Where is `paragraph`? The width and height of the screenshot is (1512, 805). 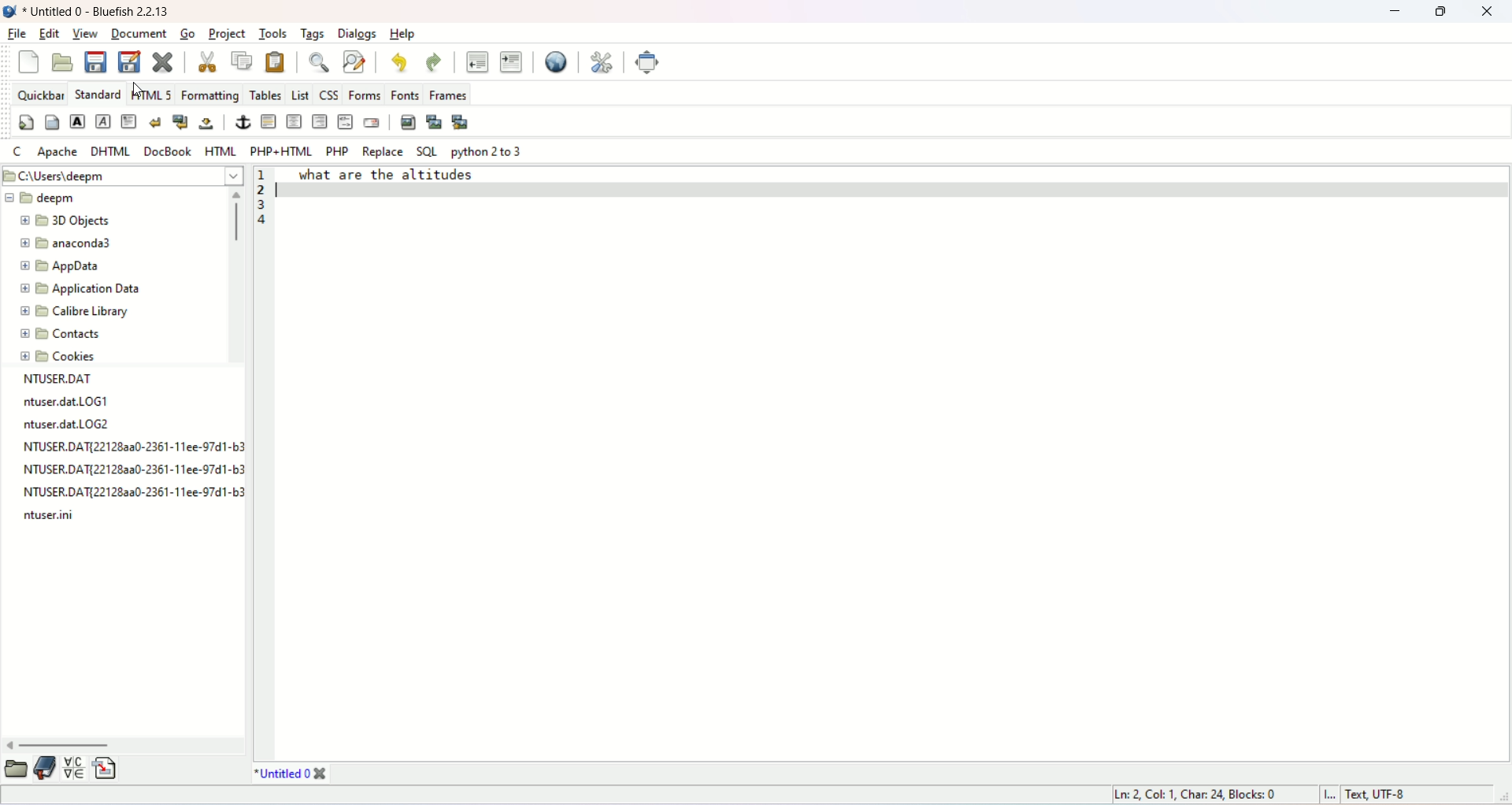
paragraph is located at coordinates (131, 121).